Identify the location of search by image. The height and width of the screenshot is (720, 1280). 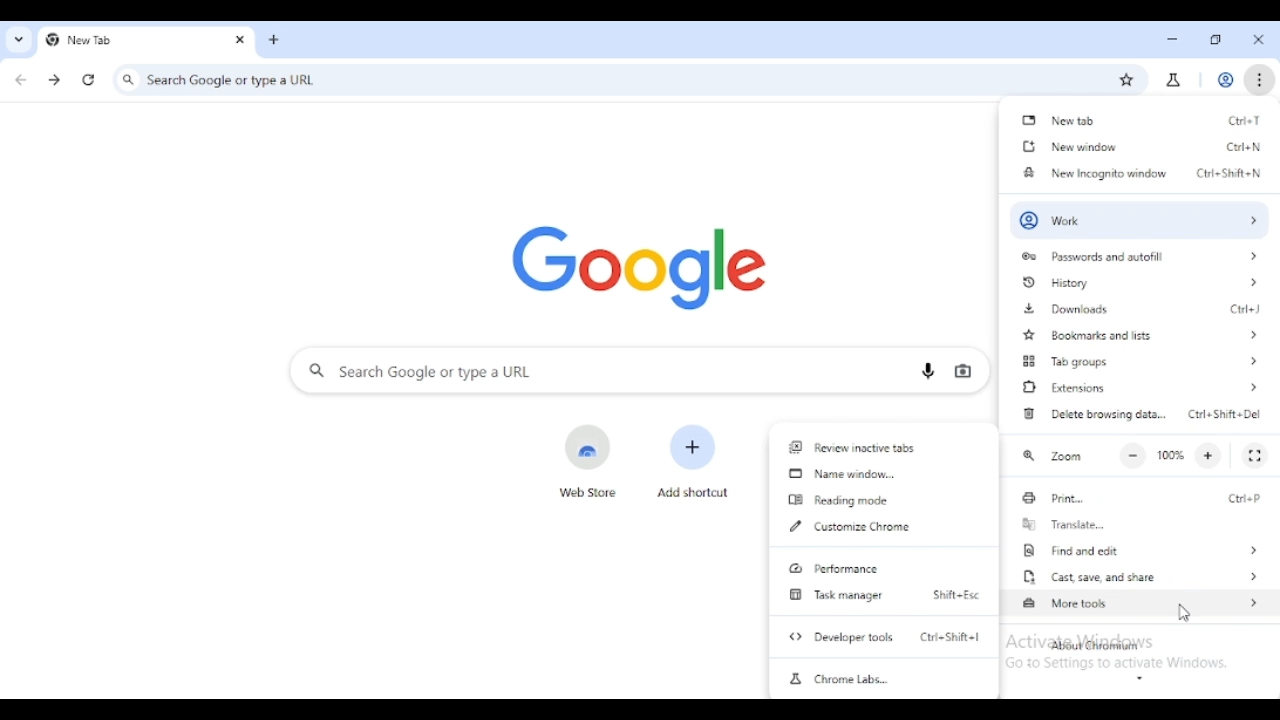
(963, 372).